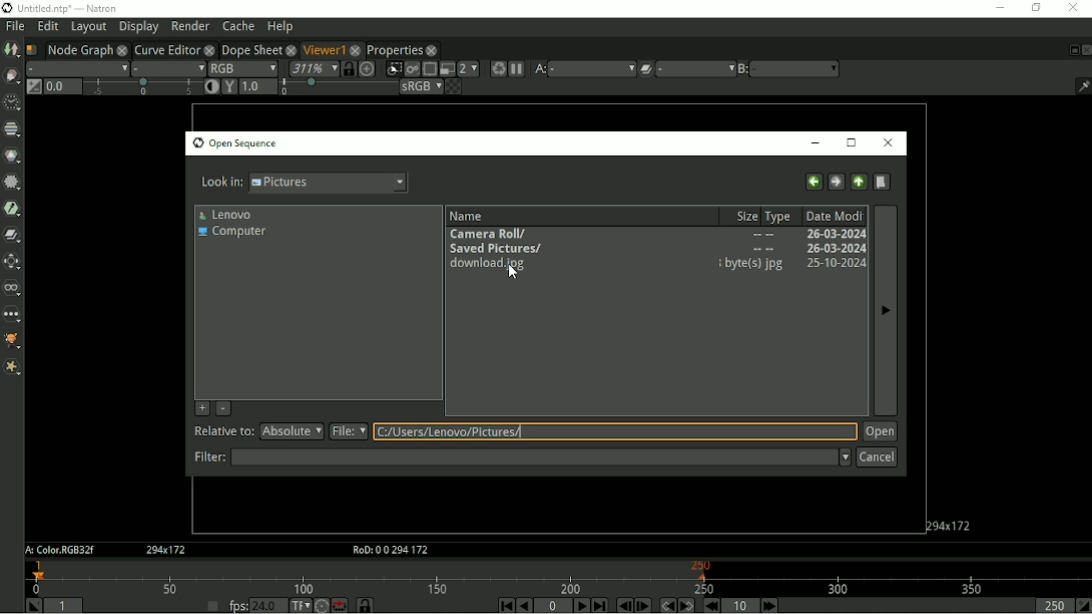 This screenshot has width=1092, height=614. I want to click on Previous keyframe, so click(666, 605).